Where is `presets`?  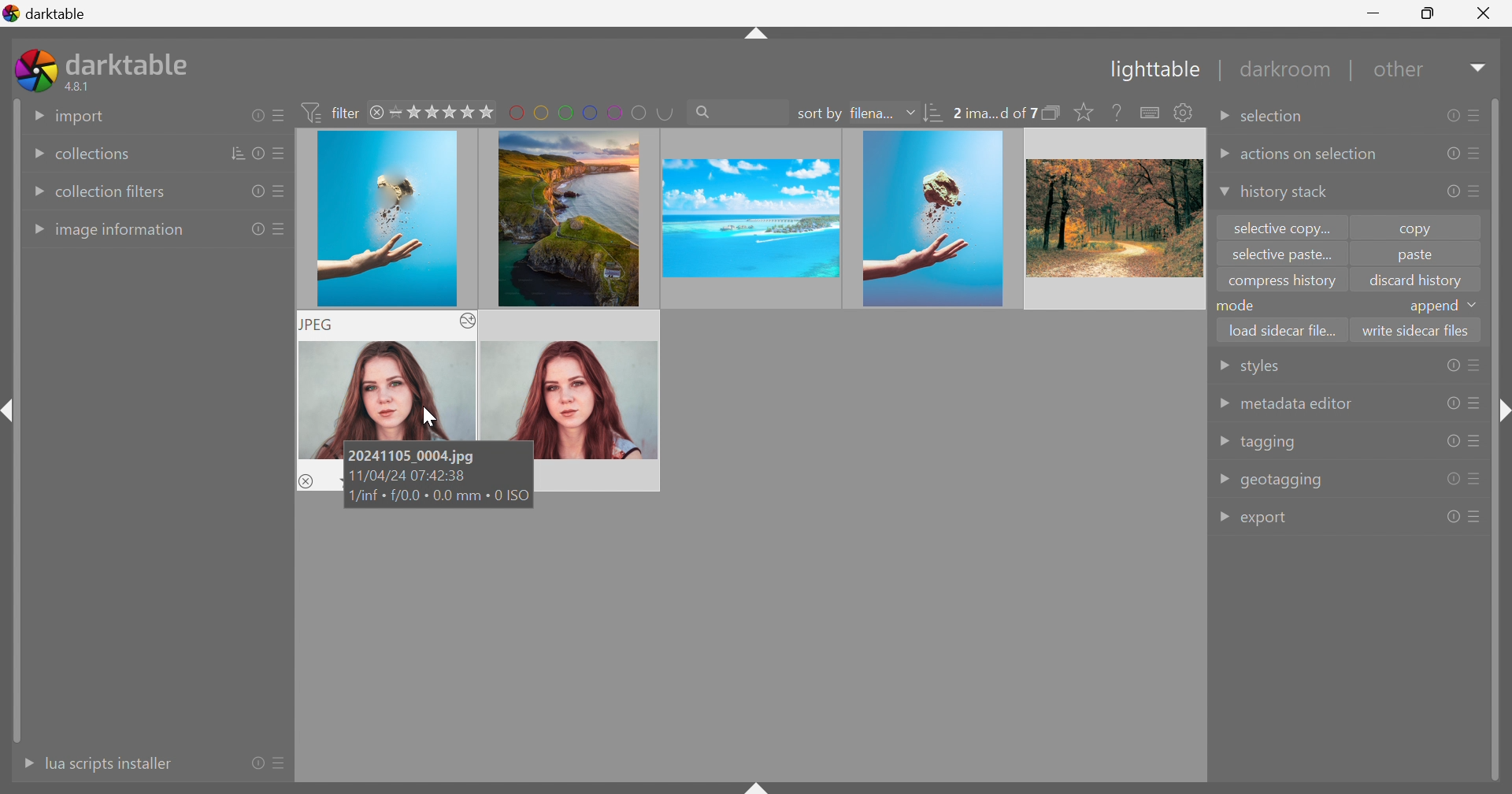
presets is located at coordinates (1478, 153).